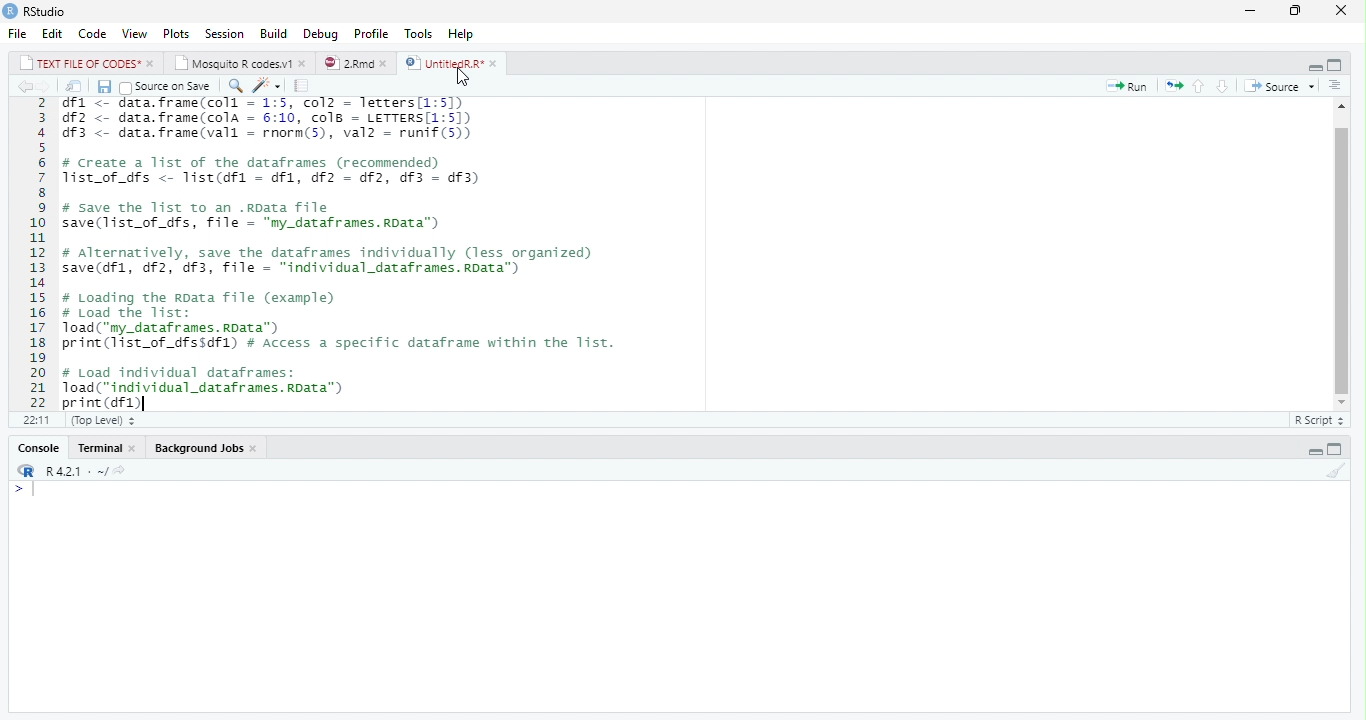 The height and width of the screenshot is (720, 1366). What do you see at coordinates (1338, 472) in the screenshot?
I see `Clear` at bounding box center [1338, 472].